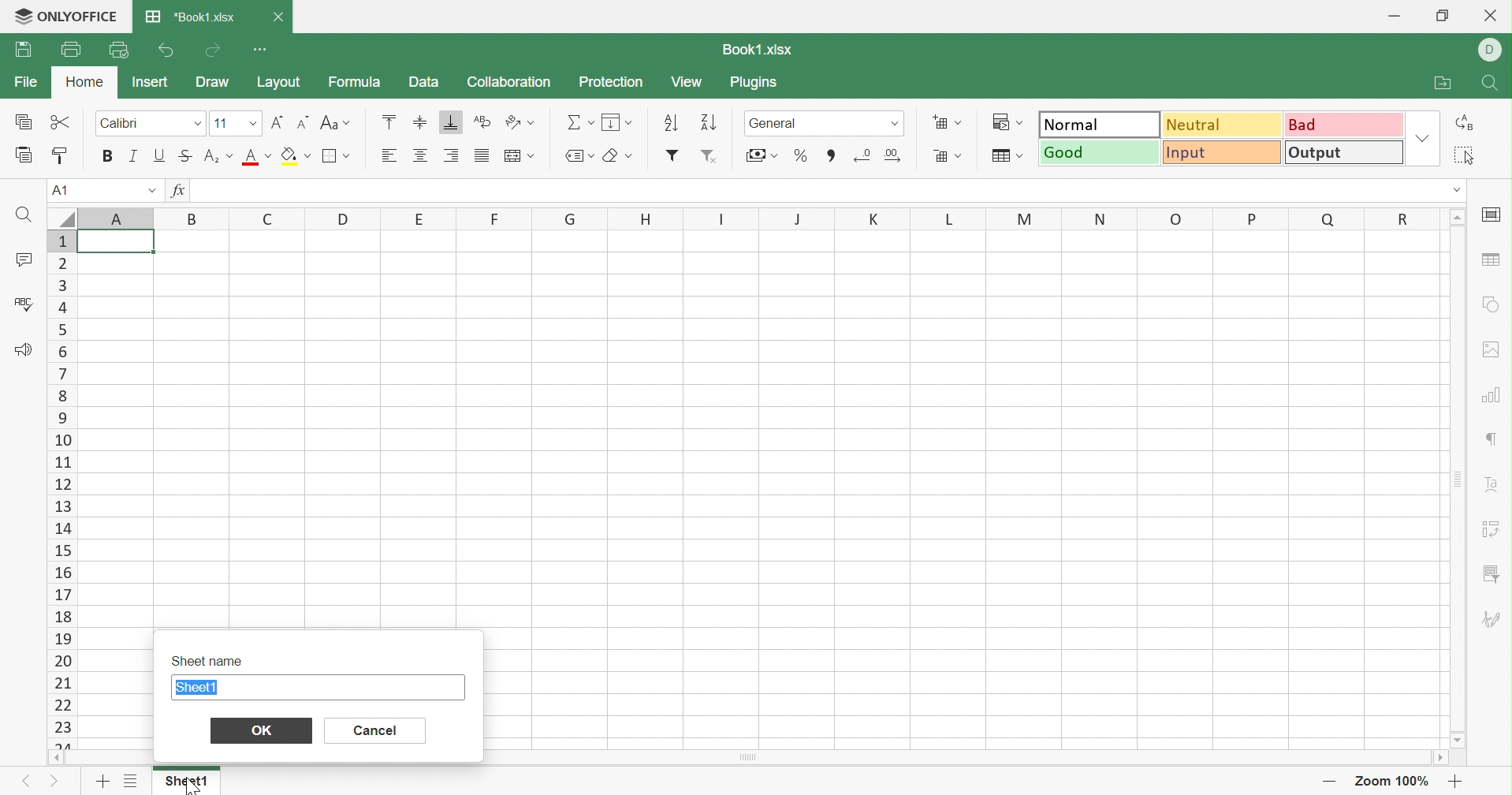 This screenshot has height=795, width=1512. I want to click on Increase font size, so click(277, 121).